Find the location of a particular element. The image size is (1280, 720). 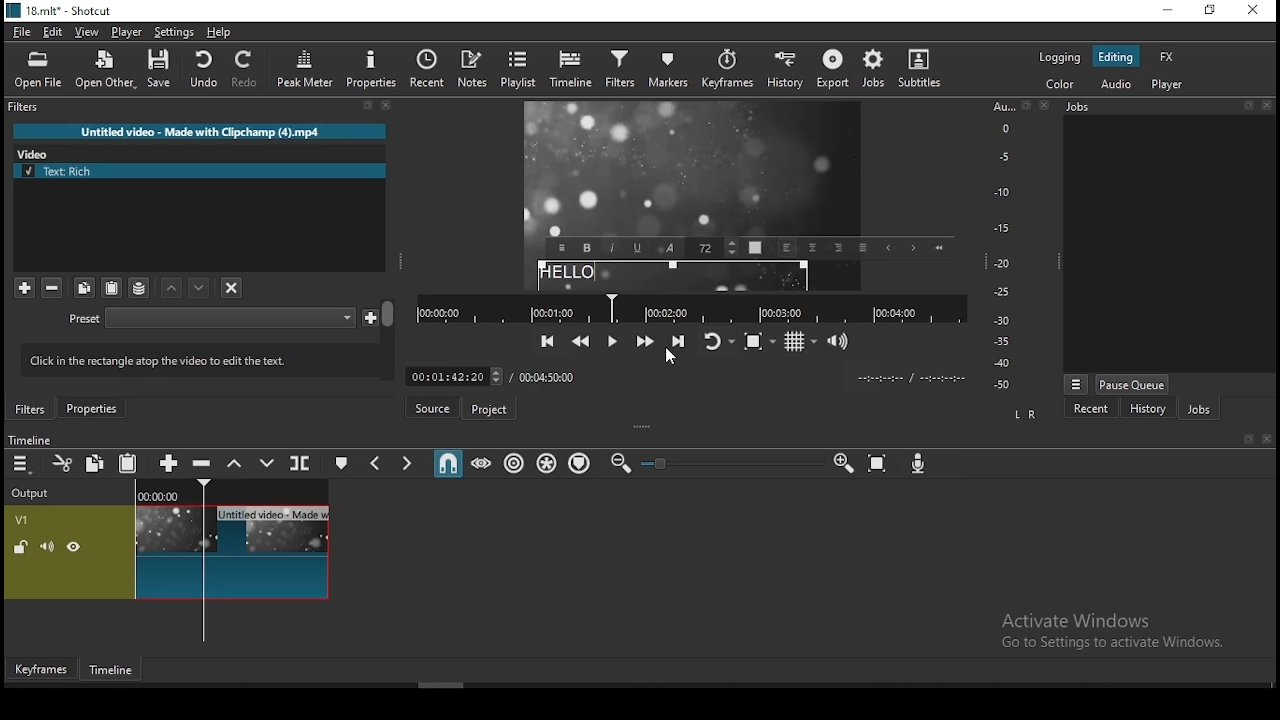

timeline settings is located at coordinates (22, 462).